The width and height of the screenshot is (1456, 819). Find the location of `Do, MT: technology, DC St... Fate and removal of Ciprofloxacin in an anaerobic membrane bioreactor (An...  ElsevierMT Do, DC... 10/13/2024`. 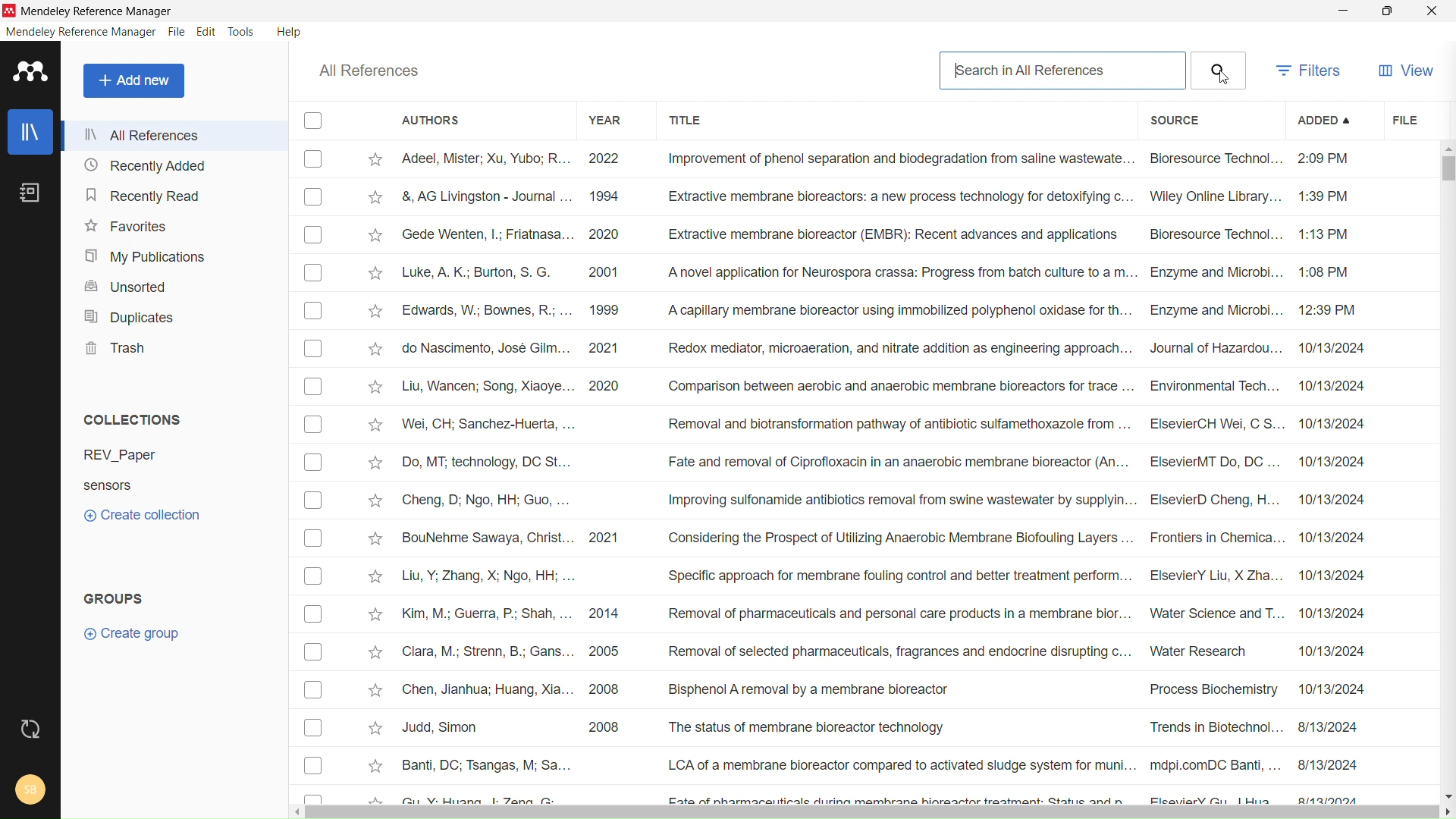

Do, MT: technology, DC St... Fate and removal of Ciprofloxacin in an anaerobic membrane bioreactor (An...  ElsevierMT Do, DC... 10/13/2024 is located at coordinates (596, 460).